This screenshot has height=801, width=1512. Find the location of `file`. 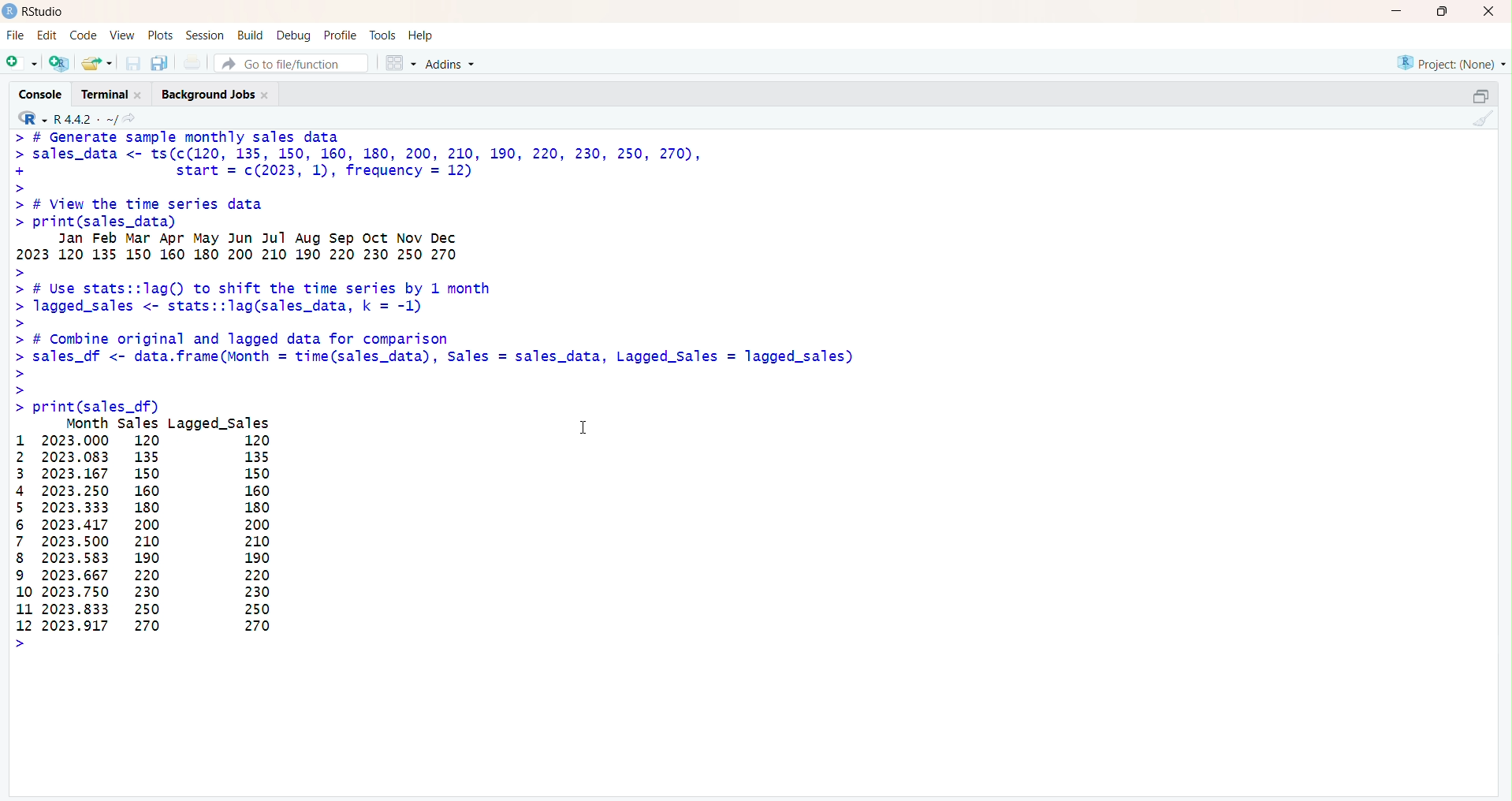

file is located at coordinates (13, 35).